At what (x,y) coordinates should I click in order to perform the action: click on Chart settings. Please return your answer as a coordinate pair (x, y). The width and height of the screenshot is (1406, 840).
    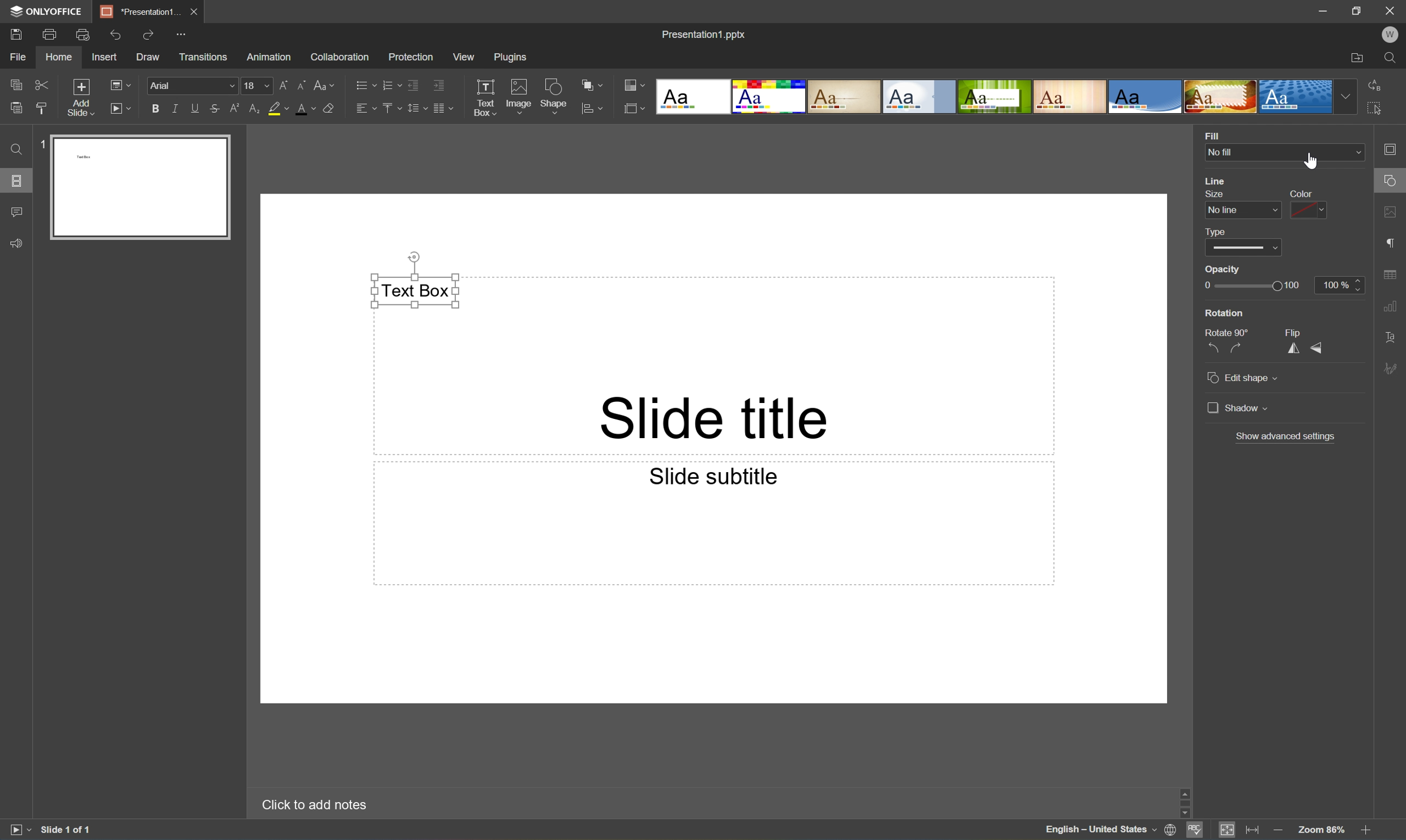
    Looking at the image, I should click on (1395, 310).